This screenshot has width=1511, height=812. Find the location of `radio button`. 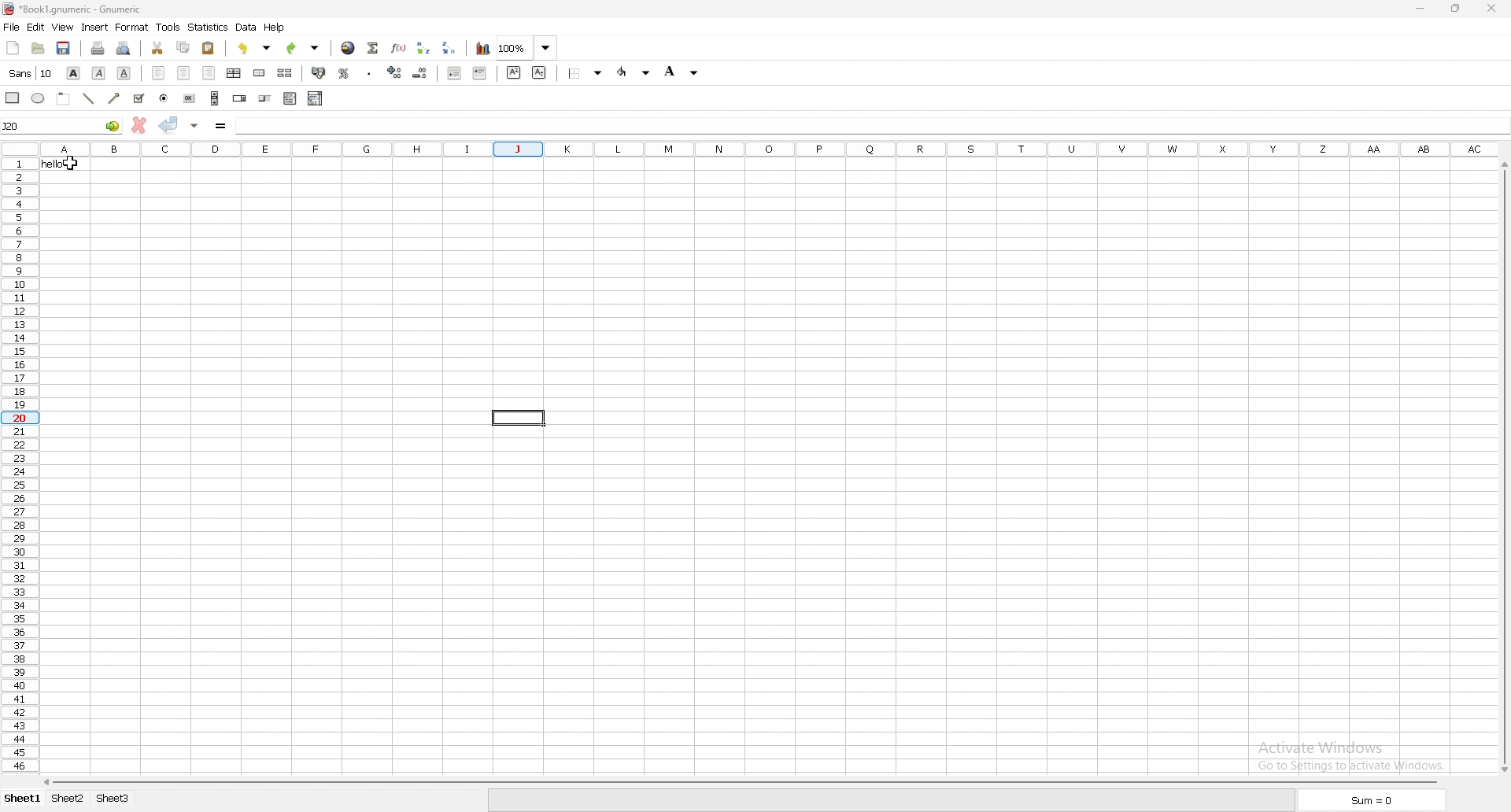

radio button is located at coordinates (164, 97).